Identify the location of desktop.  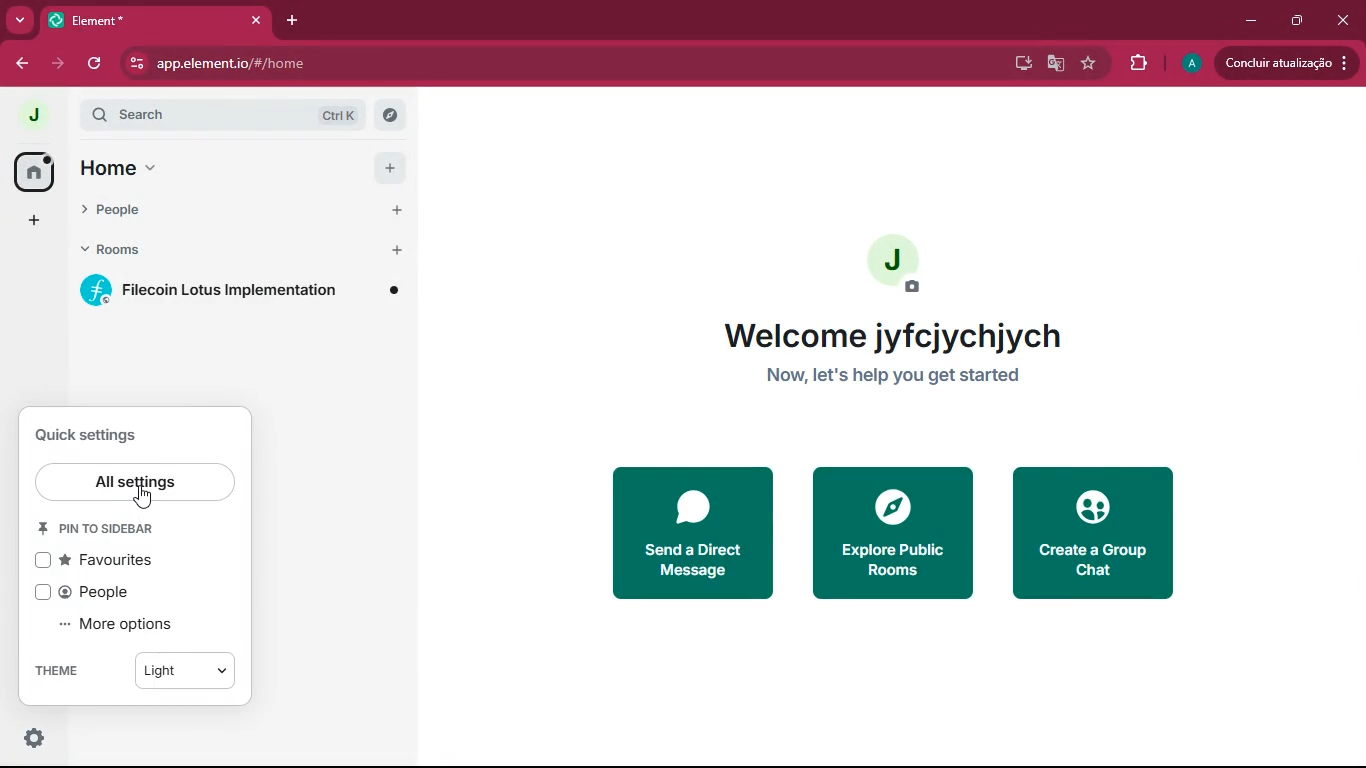
(1015, 63).